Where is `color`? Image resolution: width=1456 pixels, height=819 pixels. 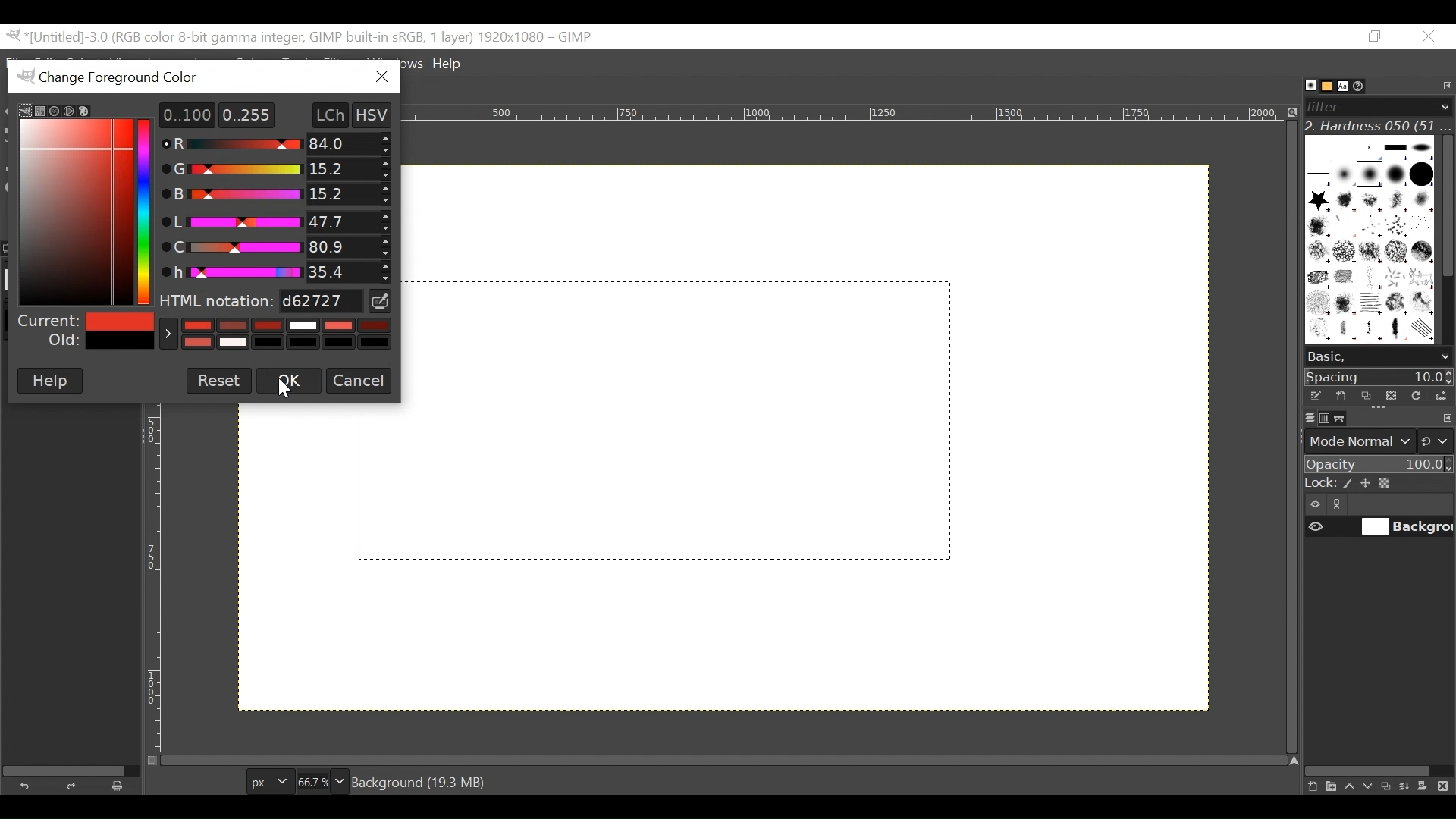 color is located at coordinates (63, 203).